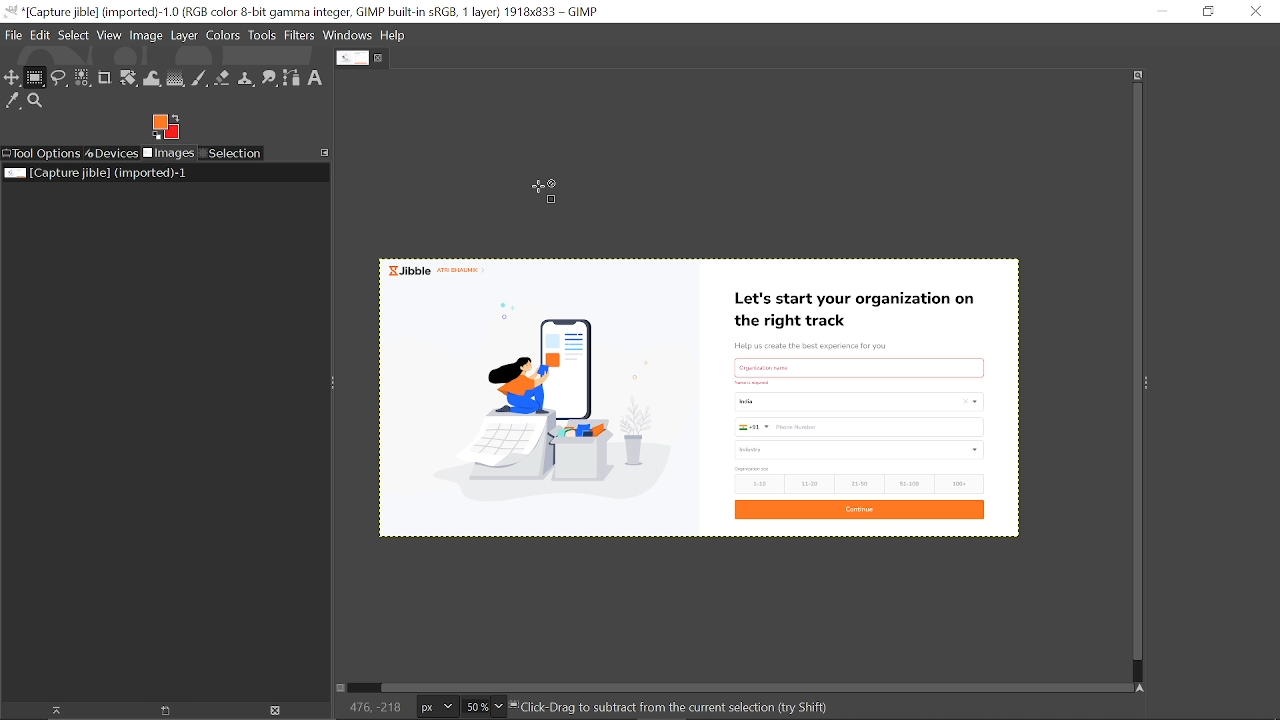 The image size is (1280, 720). Describe the element at coordinates (1202, 12) in the screenshot. I see `Restore down` at that location.